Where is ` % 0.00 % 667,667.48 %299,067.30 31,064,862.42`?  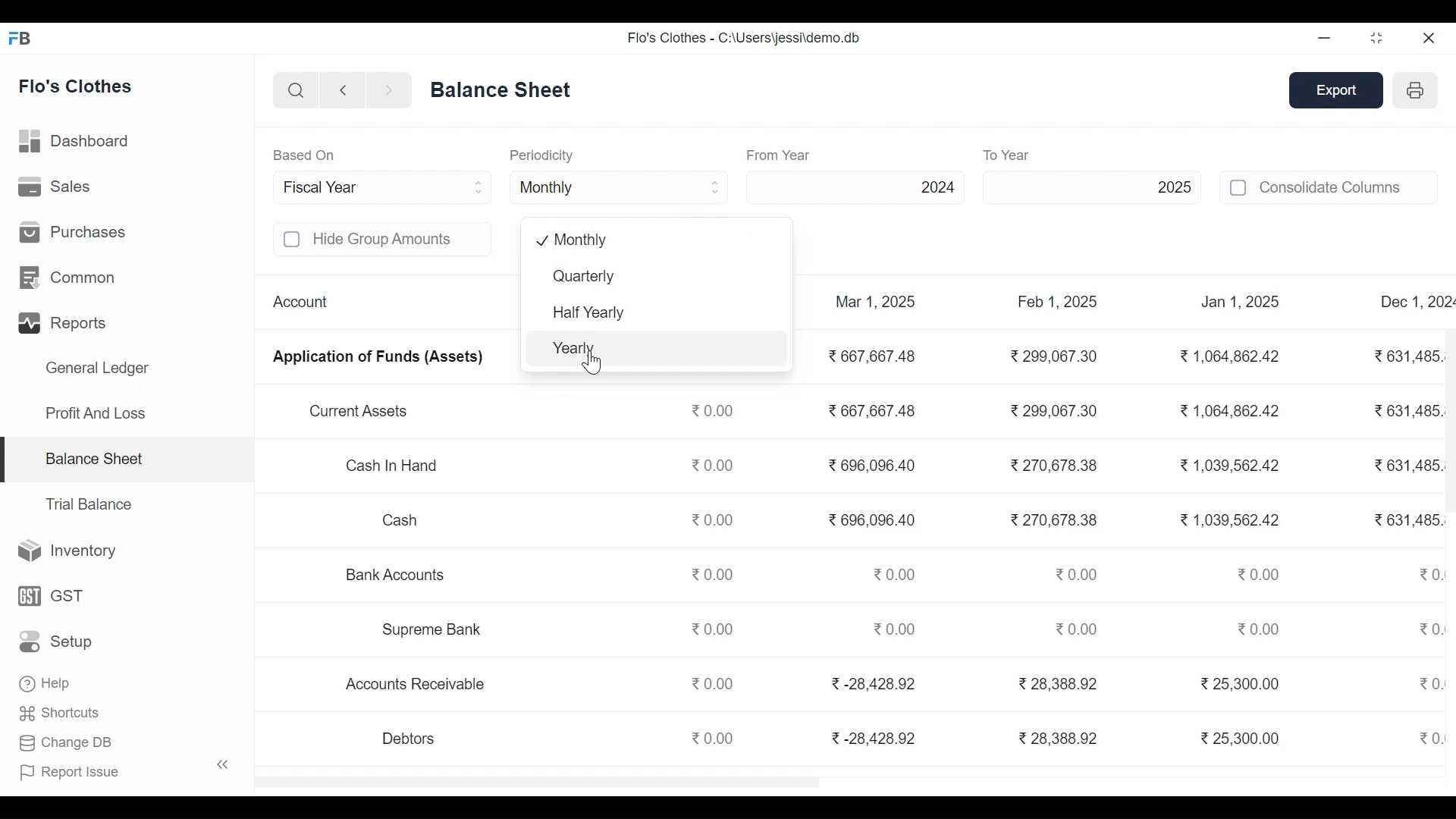
 % 0.00 % 667,667.48 %299,067.30 31,064,862.42 is located at coordinates (1062, 356).